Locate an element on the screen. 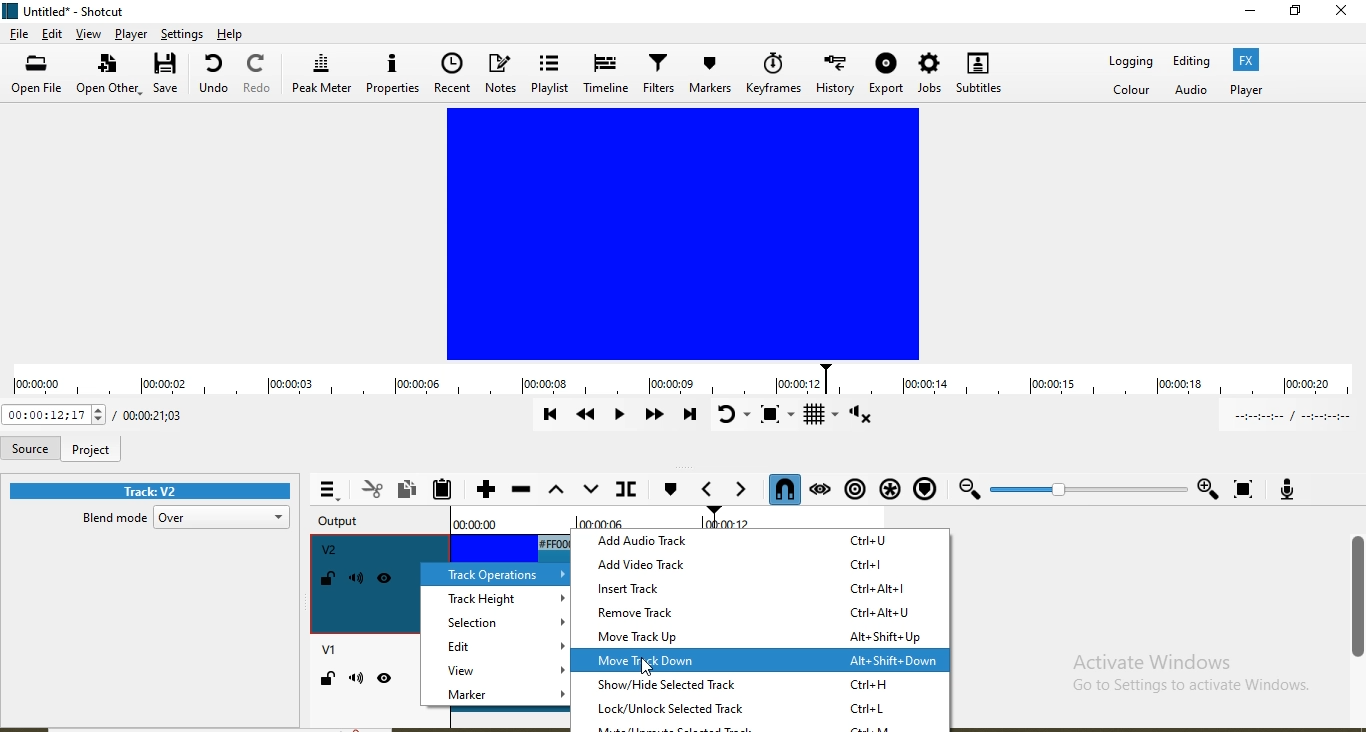 The height and width of the screenshot is (732, 1366). Ripple all tracks is located at coordinates (889, 489).